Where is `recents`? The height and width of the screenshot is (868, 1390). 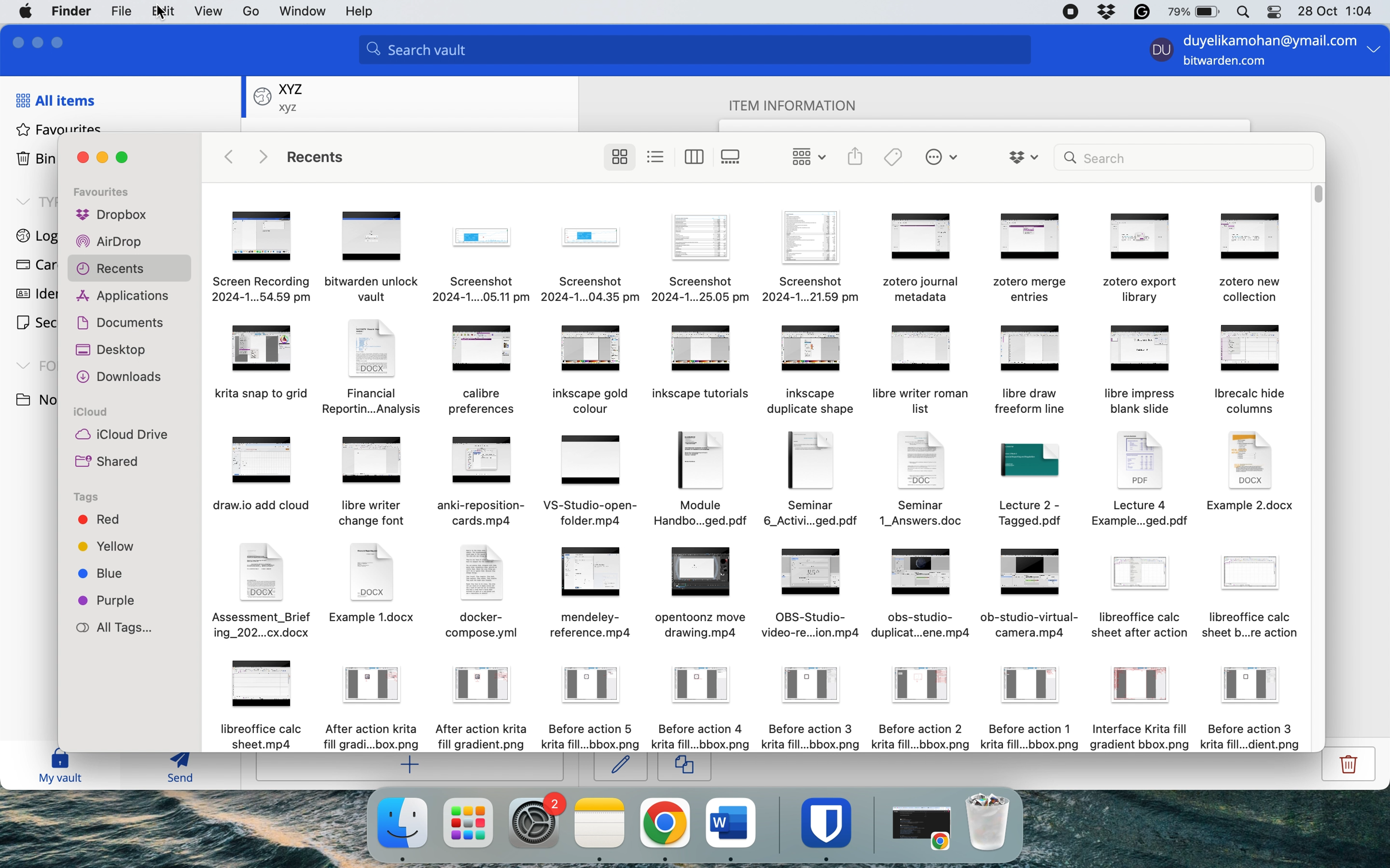 recents is located at coordinates (321, 158).